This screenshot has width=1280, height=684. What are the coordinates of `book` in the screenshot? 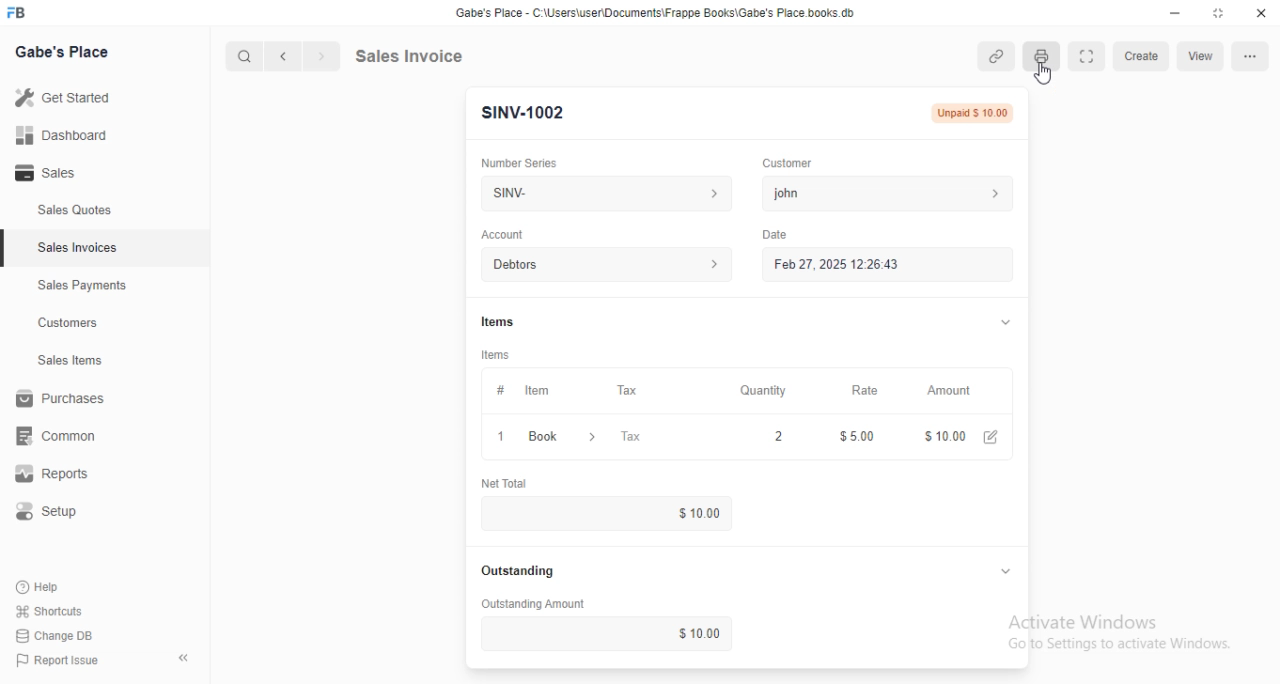 It's located at (544, 435).